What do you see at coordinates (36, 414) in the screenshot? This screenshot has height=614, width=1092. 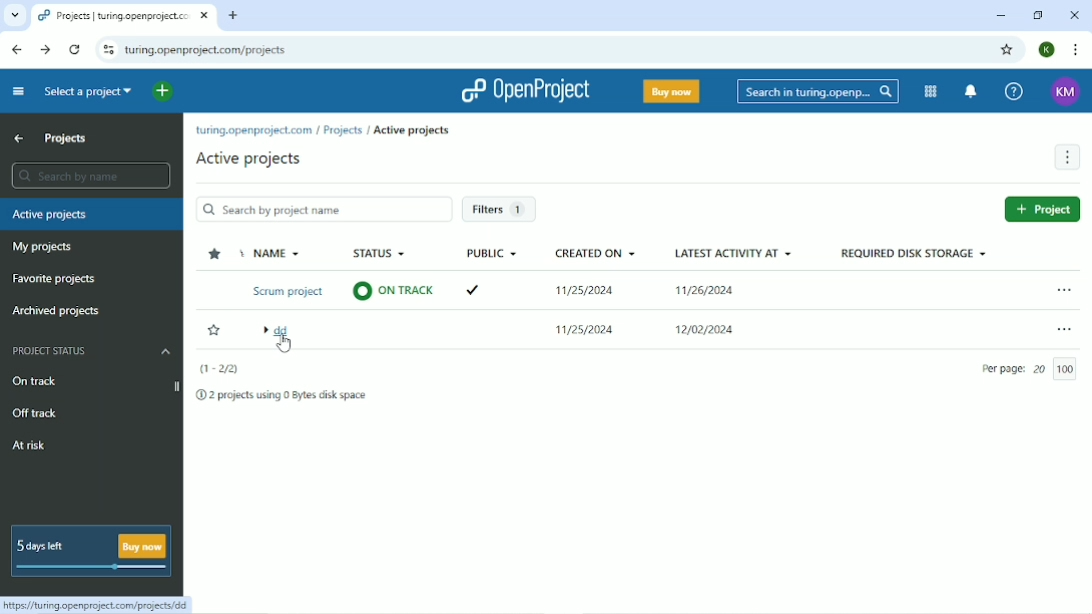 I see `Off track` at bounding box center [36, 414].